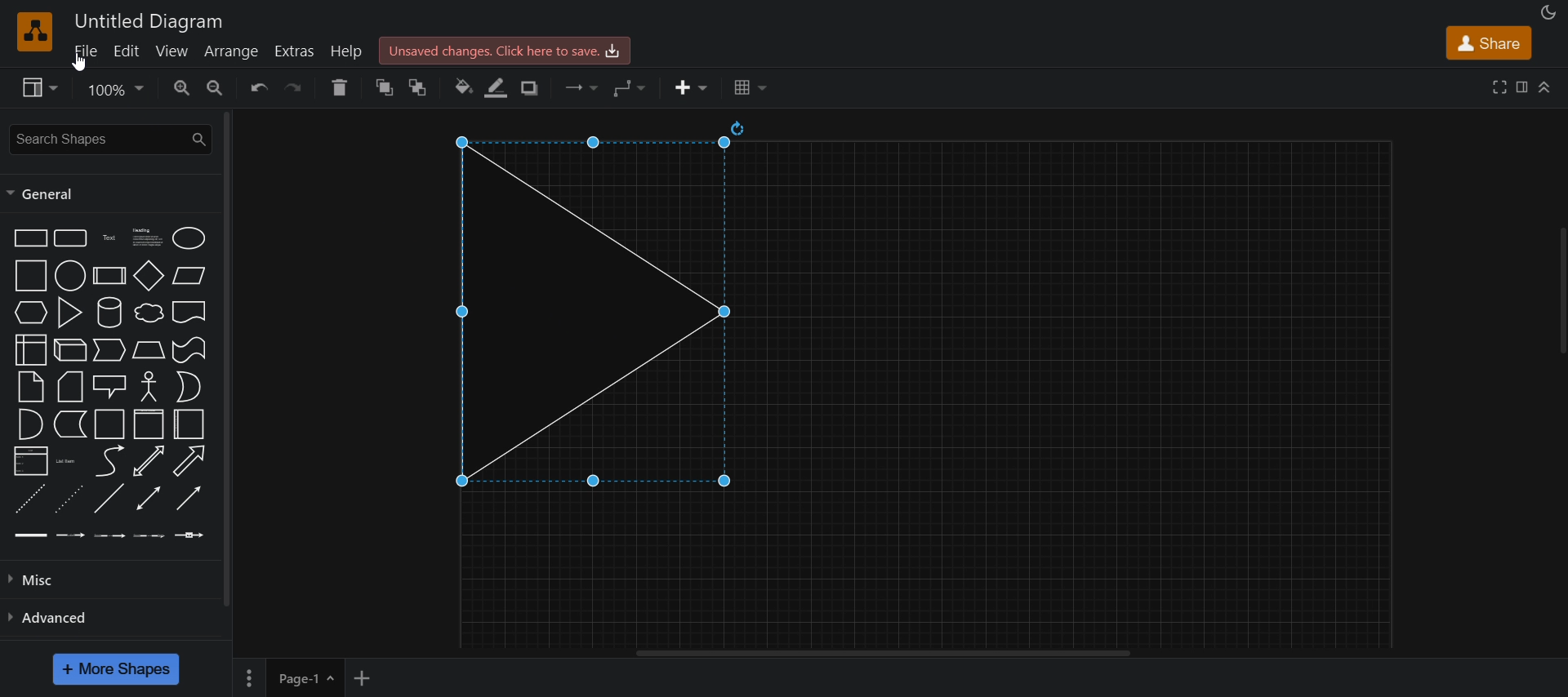 This screenshot has width=1568, height=697. What do you see at coordinates (192, 239) in the screenshot?
I see `ellipse` at bounding box center [192, 239].